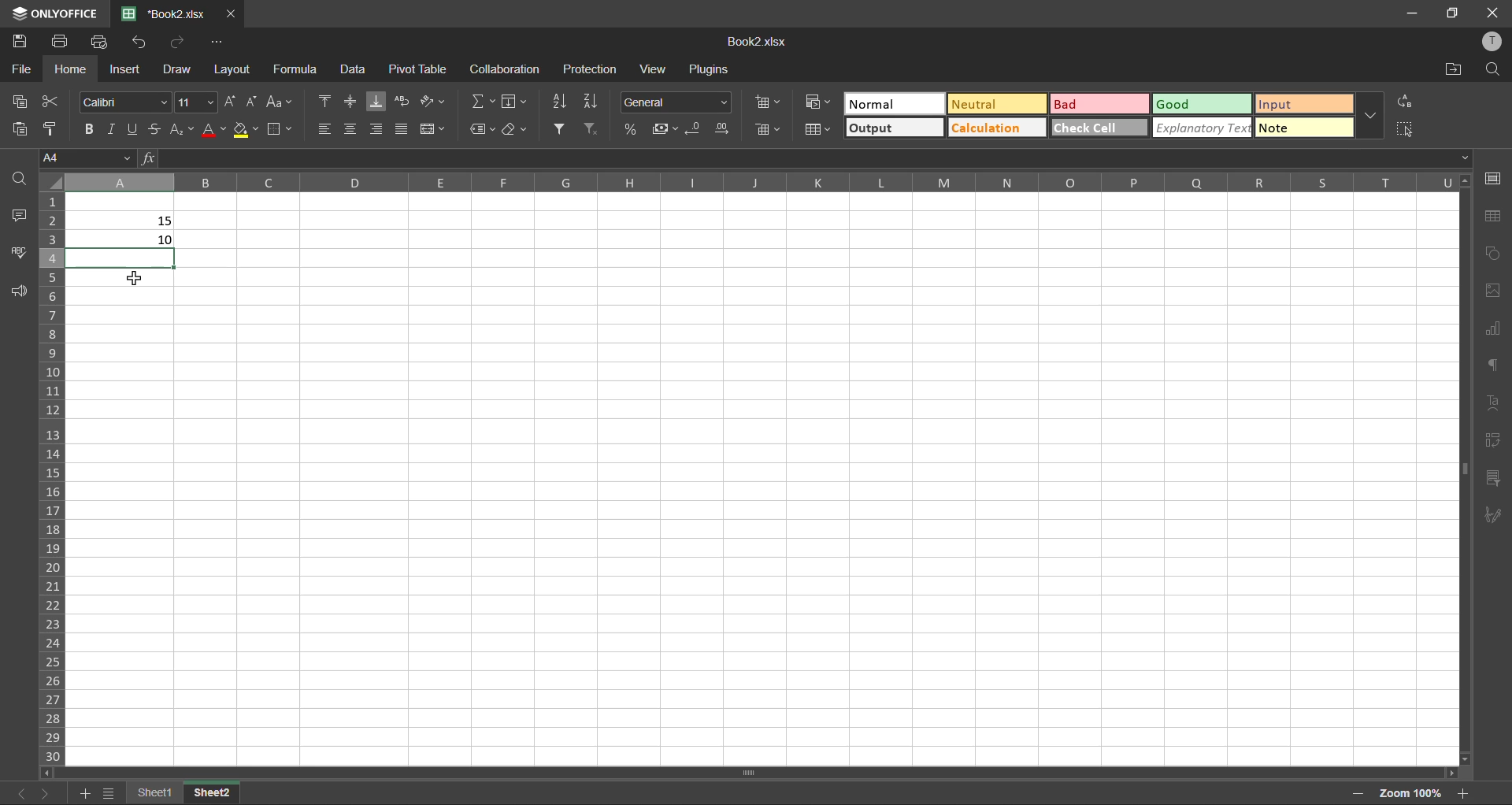 Image resolution: width=1512 pixels, height=805 pixels. What do you see at coordinates (401, 101) in the screenshot?
I see `wrap text` at bounding box center [401, 101].